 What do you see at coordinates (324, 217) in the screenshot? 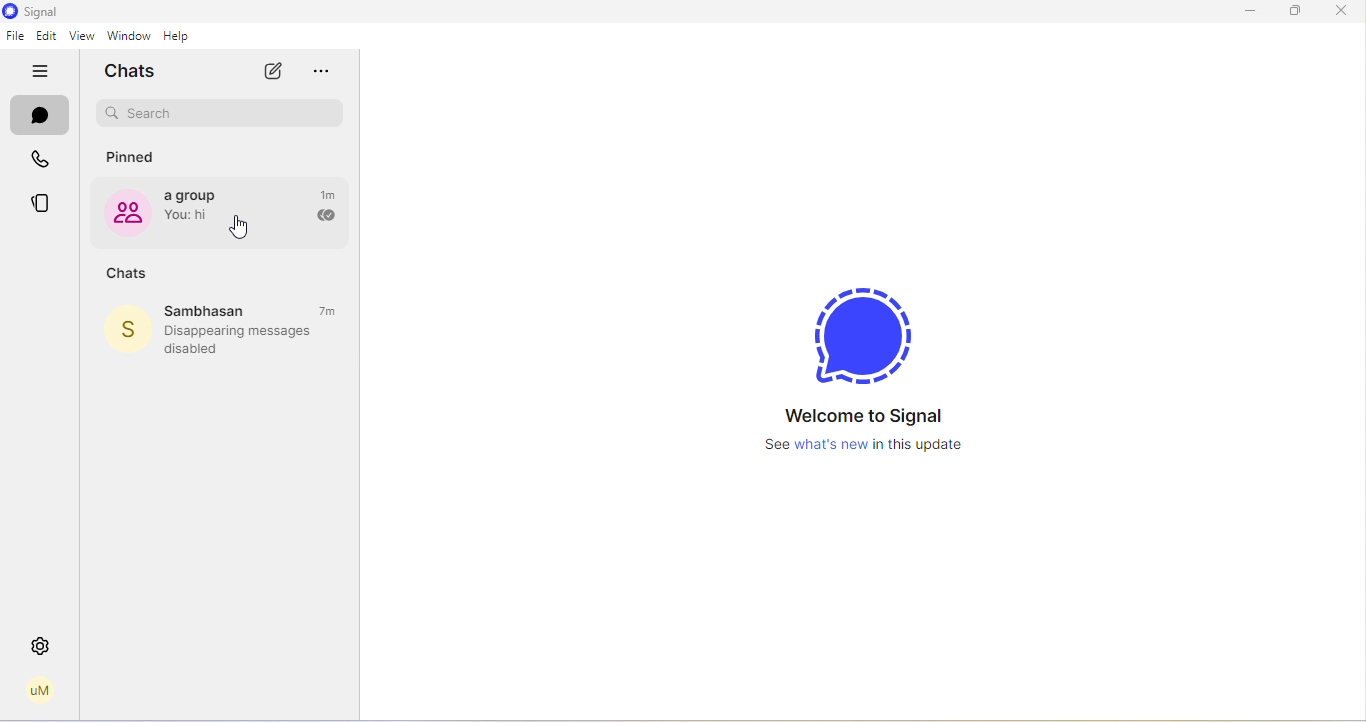
I see `message read/unread/delivery status` at bounding box center [324, 217].